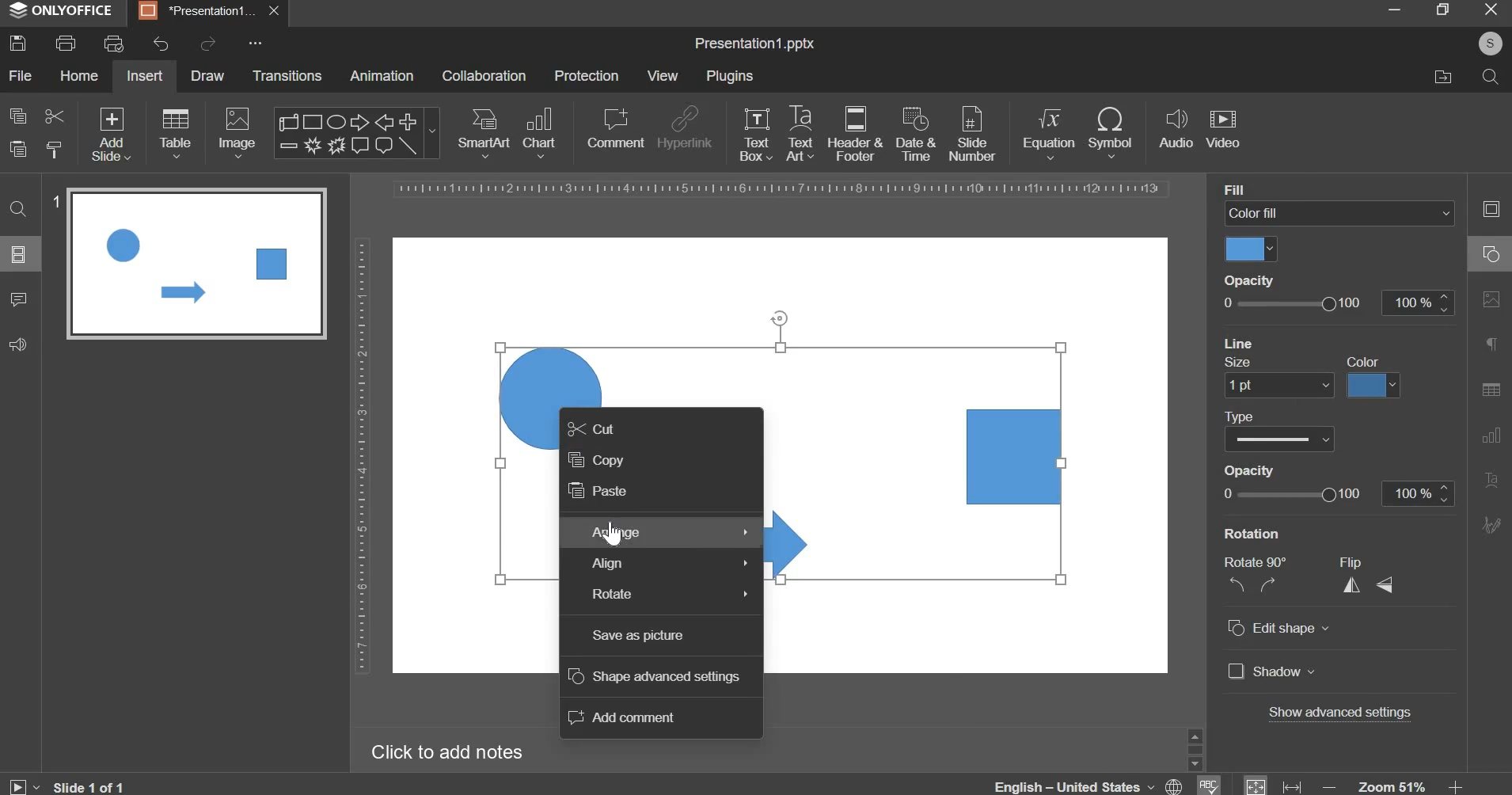 The width and height of the screenshot is (1512, 795). What do you see at coordinates (1492, 346) in the screenshot?
I see `paragraph setting` at bounding box center [1492, 346].